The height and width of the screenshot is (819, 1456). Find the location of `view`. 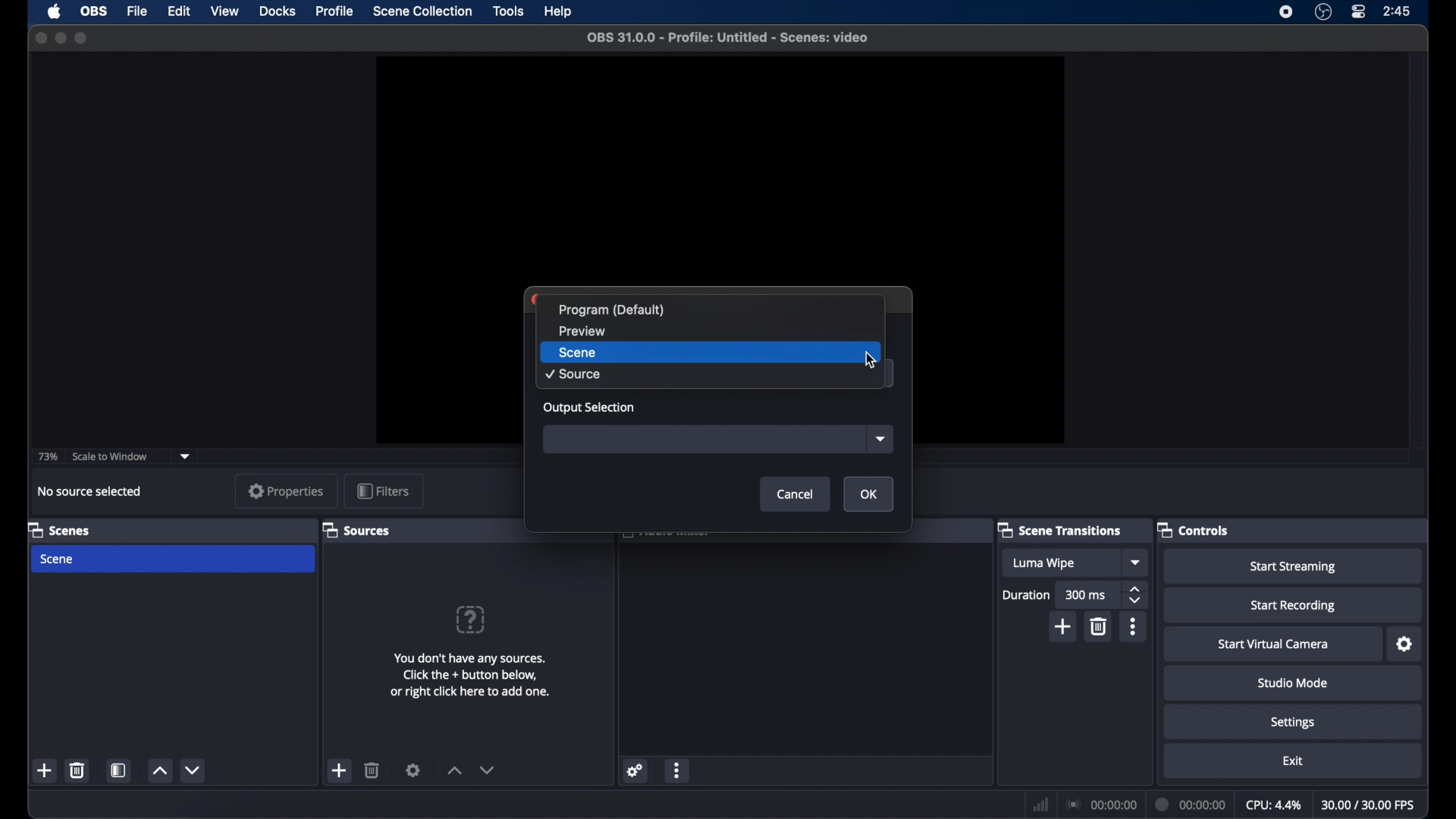

view is located at coordinates (224, 12).